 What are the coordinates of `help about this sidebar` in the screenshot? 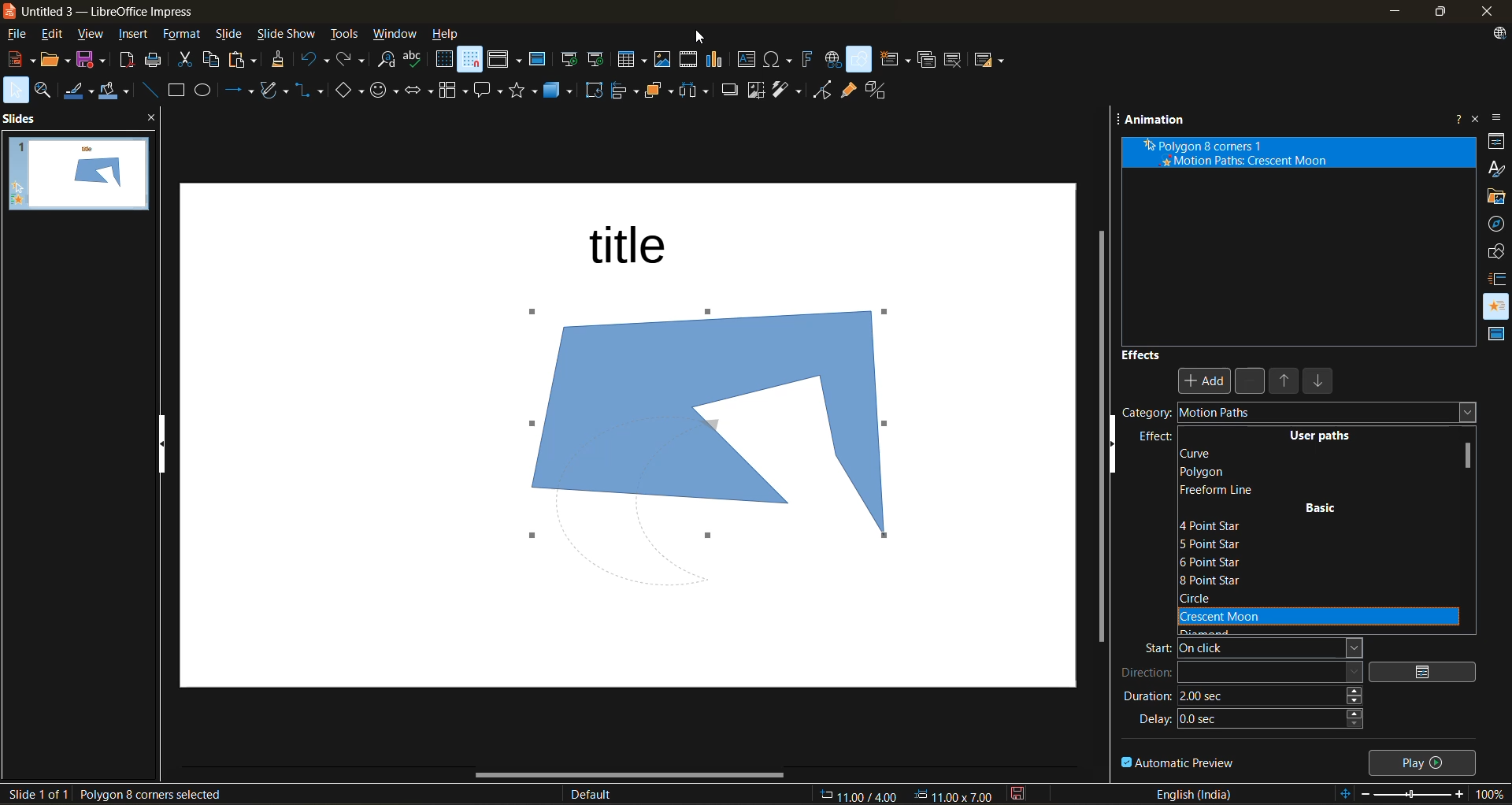 It's located at (1454, 117).